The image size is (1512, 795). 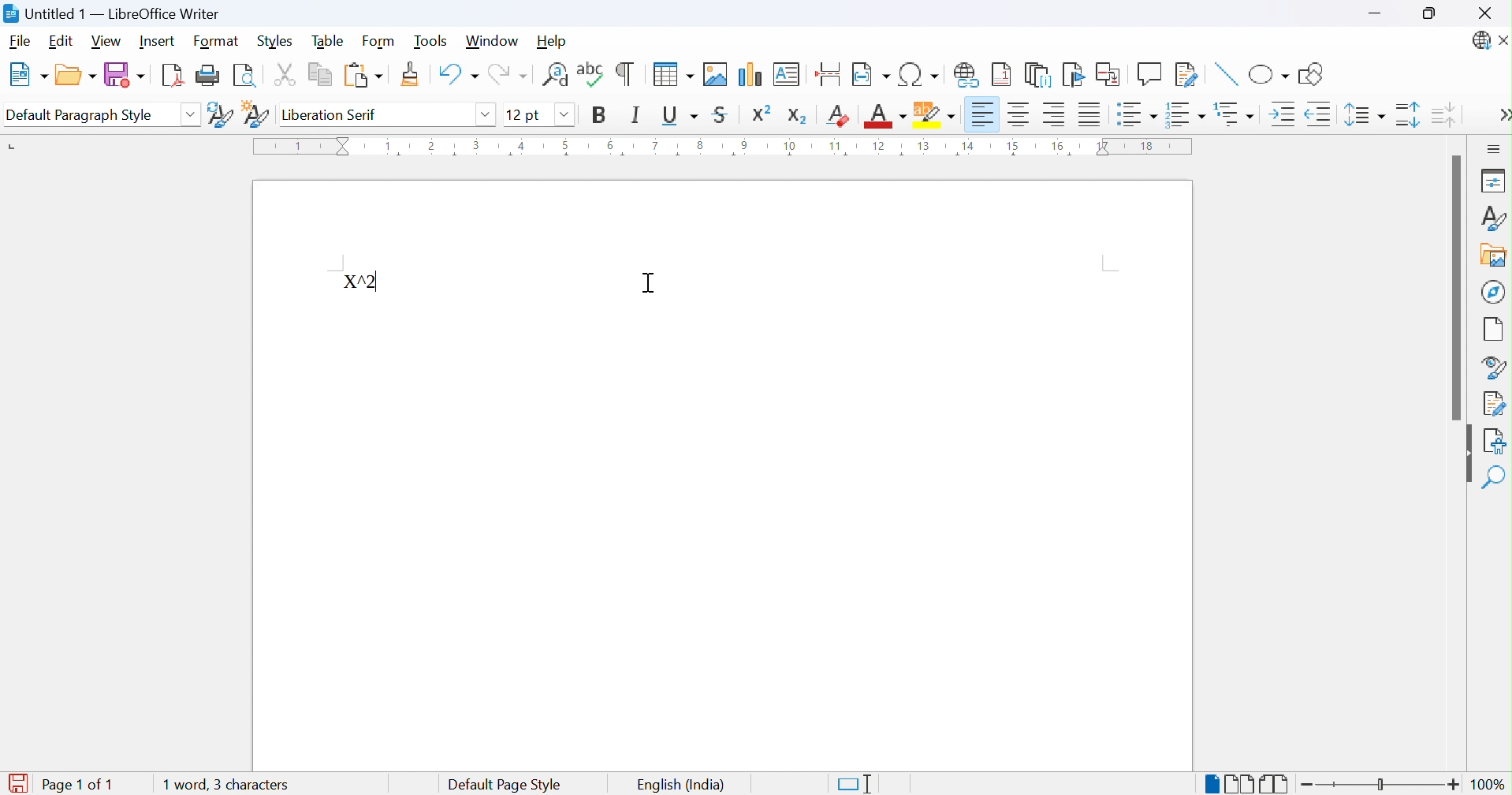 I want to click on , so click(x=564, y=115).